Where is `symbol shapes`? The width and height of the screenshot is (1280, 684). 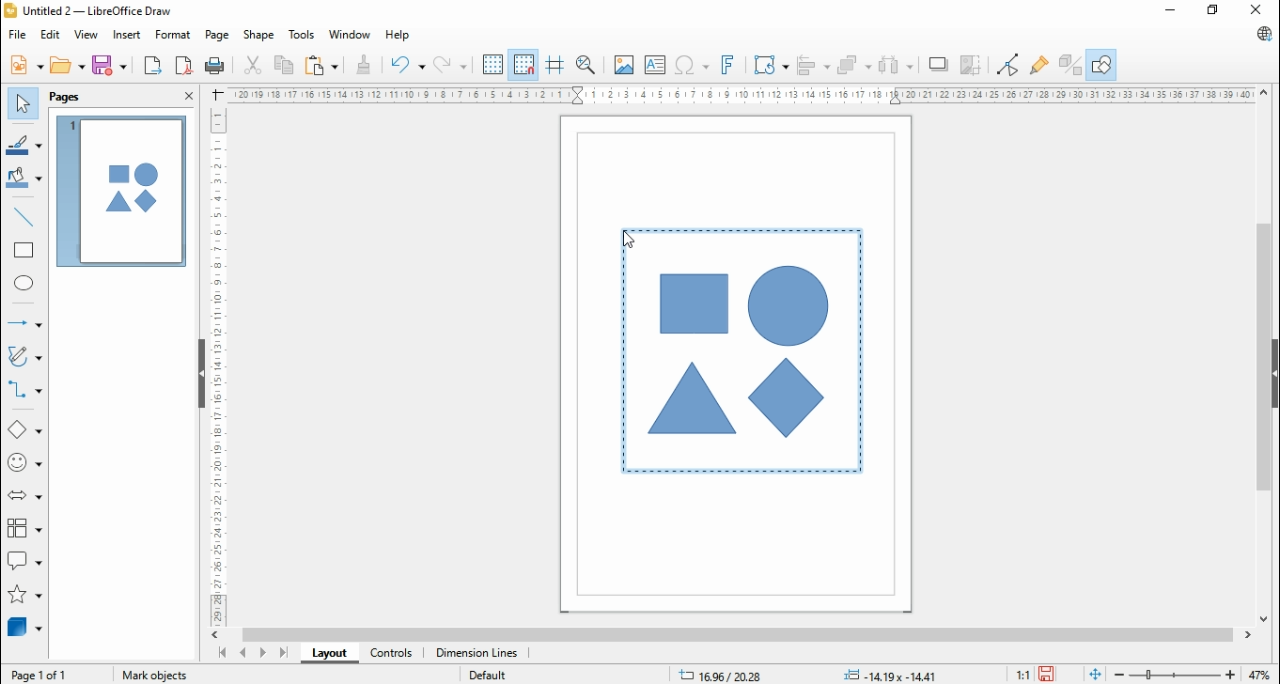 symbol shapes is located at coordinates (27, 462).